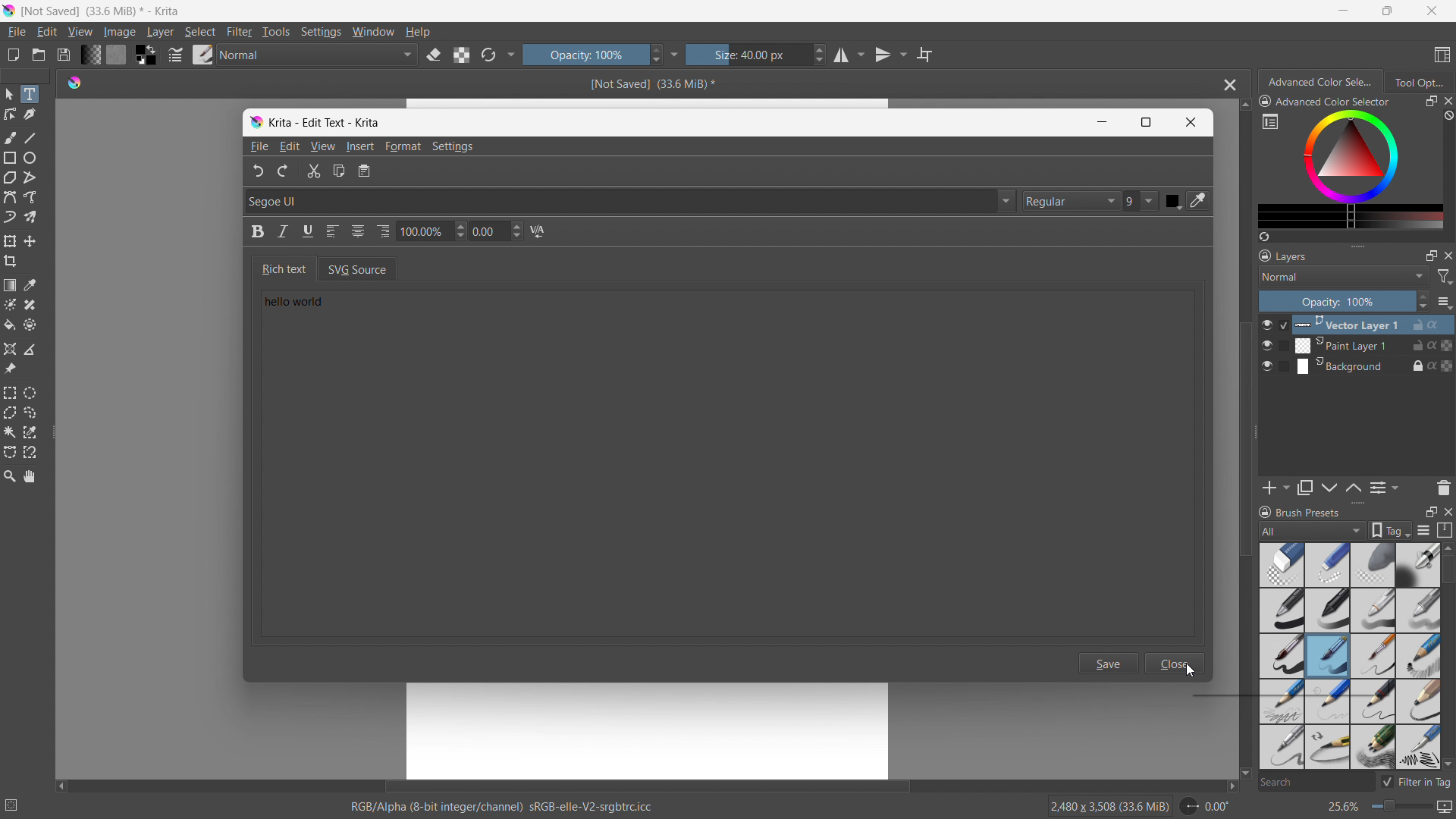 The image size is (1456, 819). What do you see at coordinates (1374, 701) in the screenshot?
I see `small tip pencil` at bounding box center [1374, 701].